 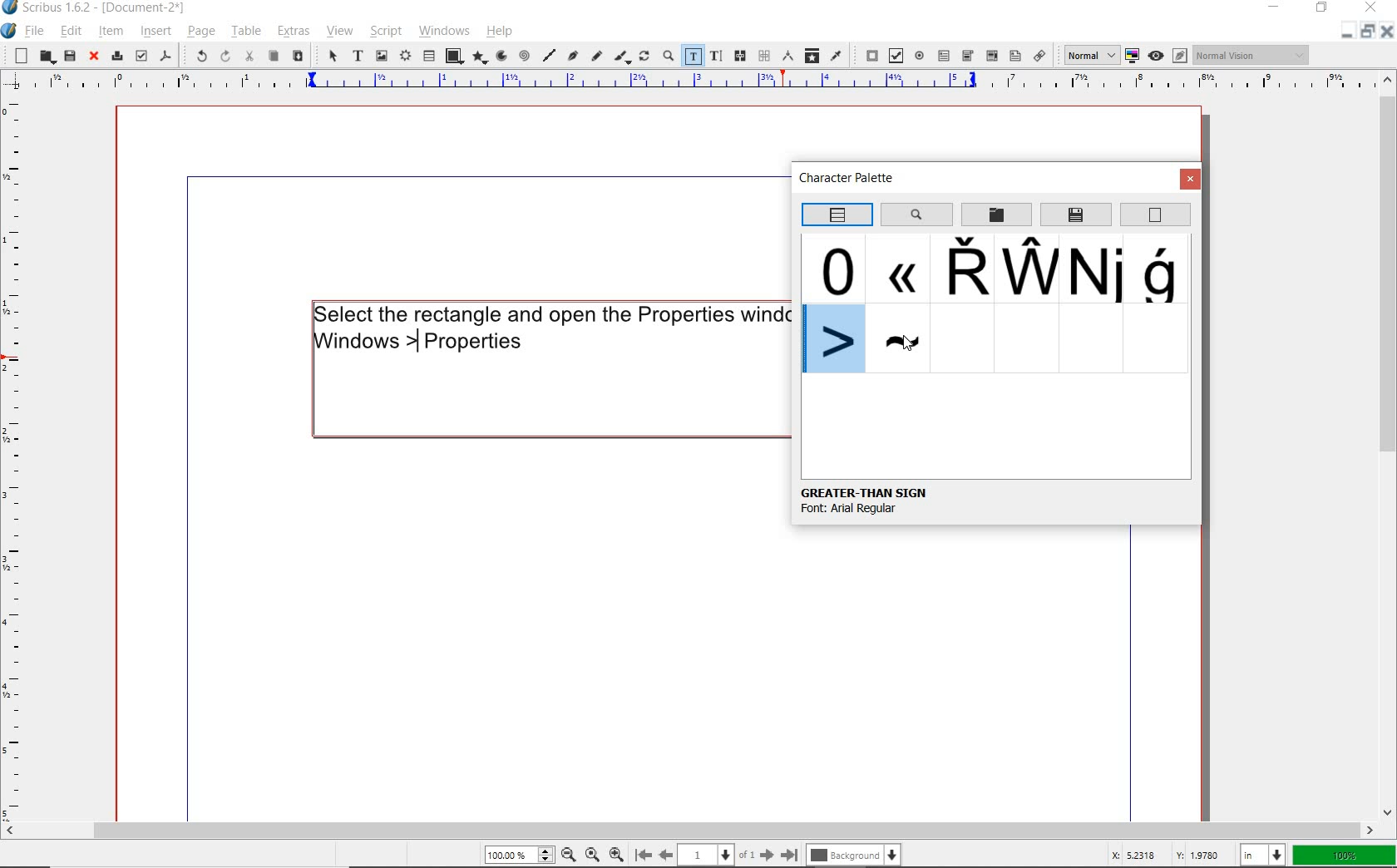 What do you see at coordinates (1131, 56) in the screenshot?
I see `toggle color` at bounding box center [1131, 56].